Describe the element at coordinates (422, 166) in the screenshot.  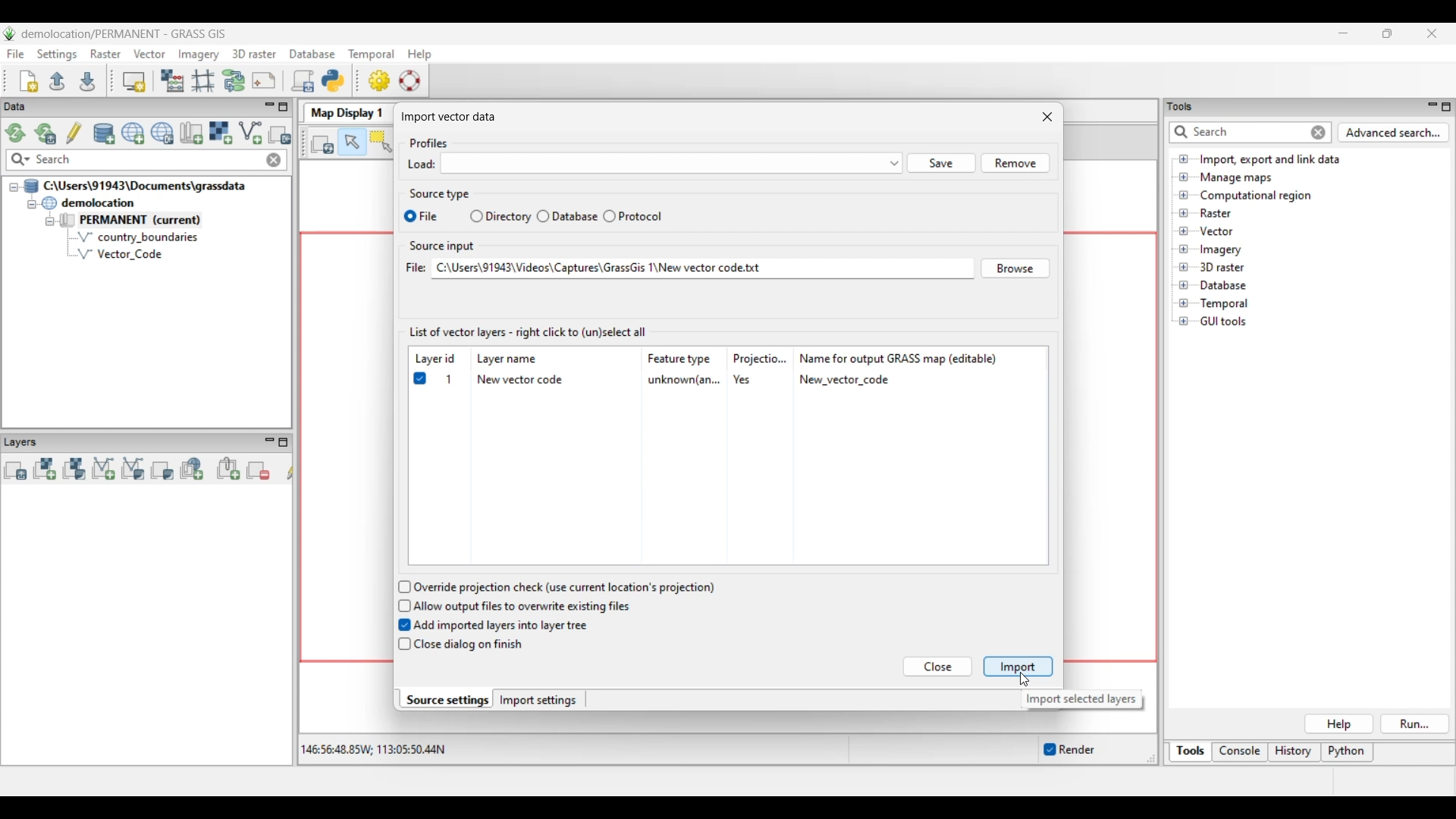
I see `Load:` at that location.